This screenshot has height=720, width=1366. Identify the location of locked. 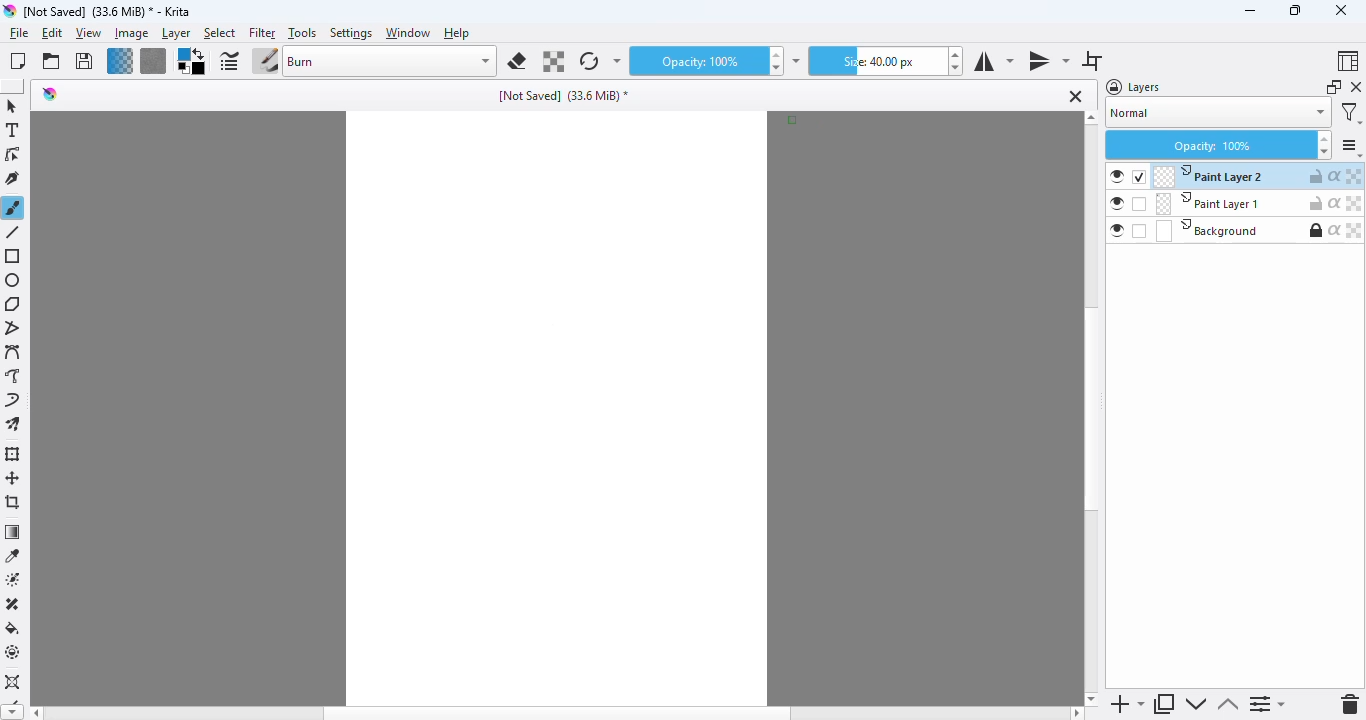
(1315, 230).